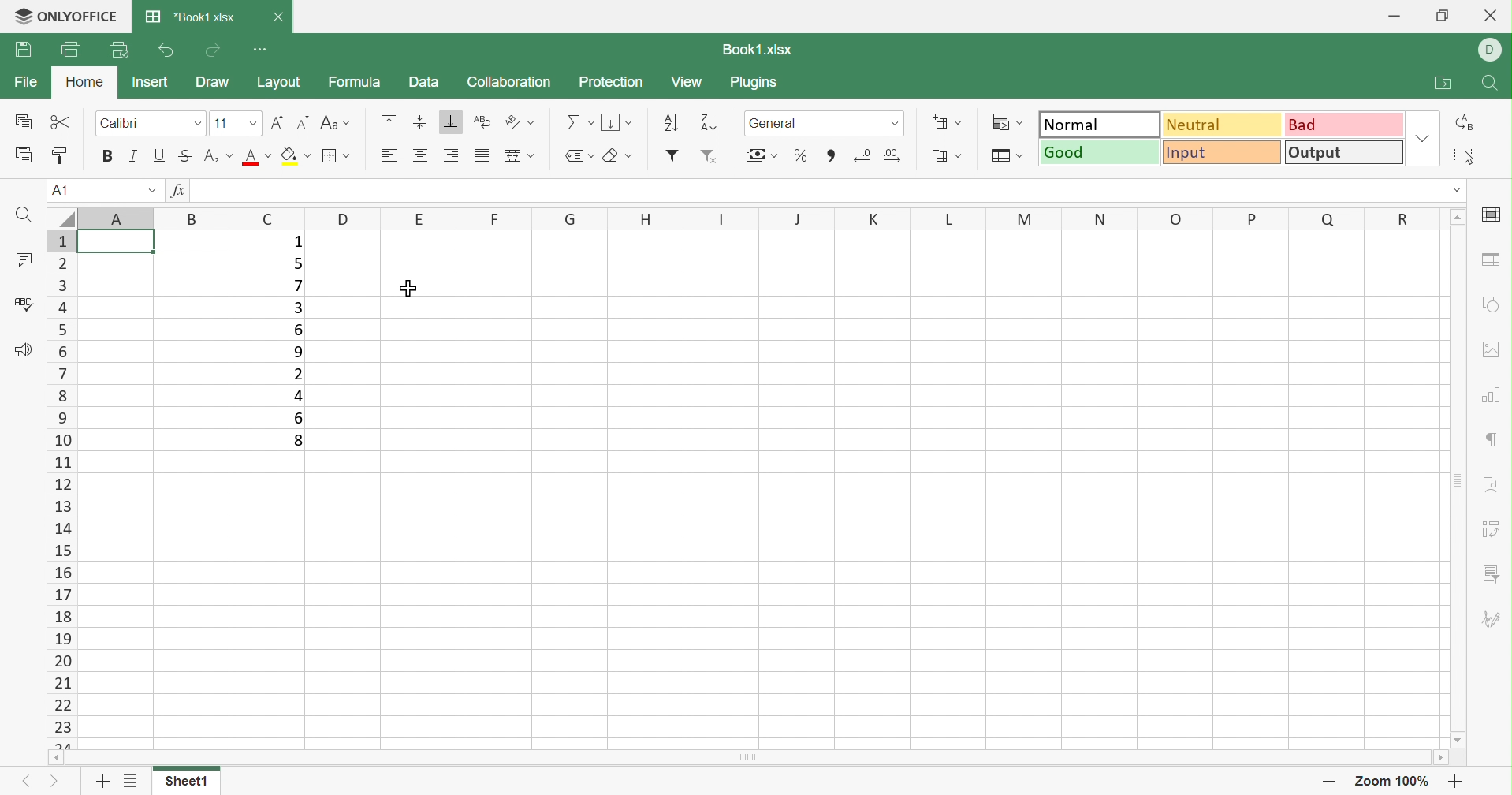  I want to click on Zoom In, so click(1458, 784).